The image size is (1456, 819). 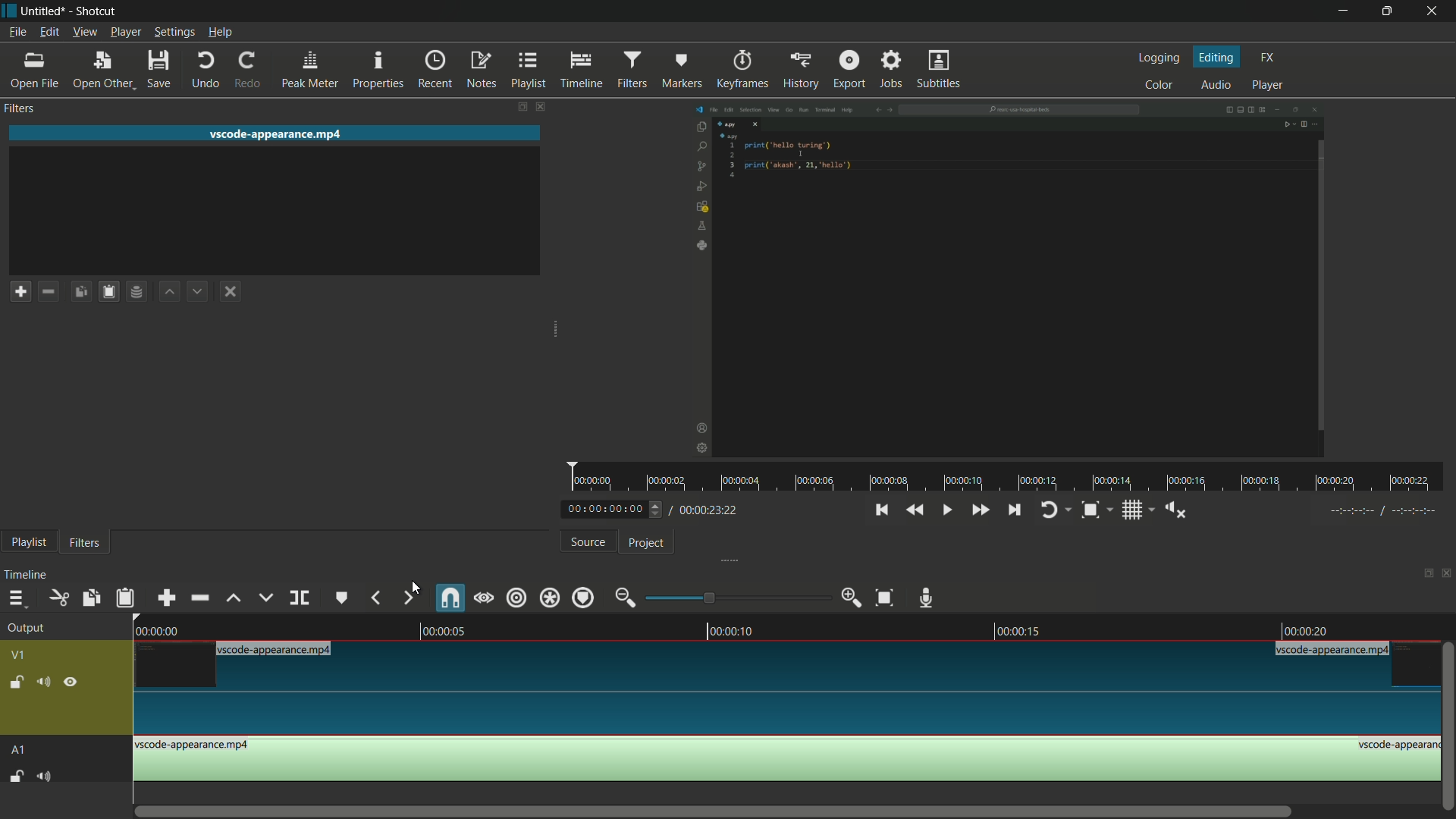 I want to click on append, so click(x=169, y=598).